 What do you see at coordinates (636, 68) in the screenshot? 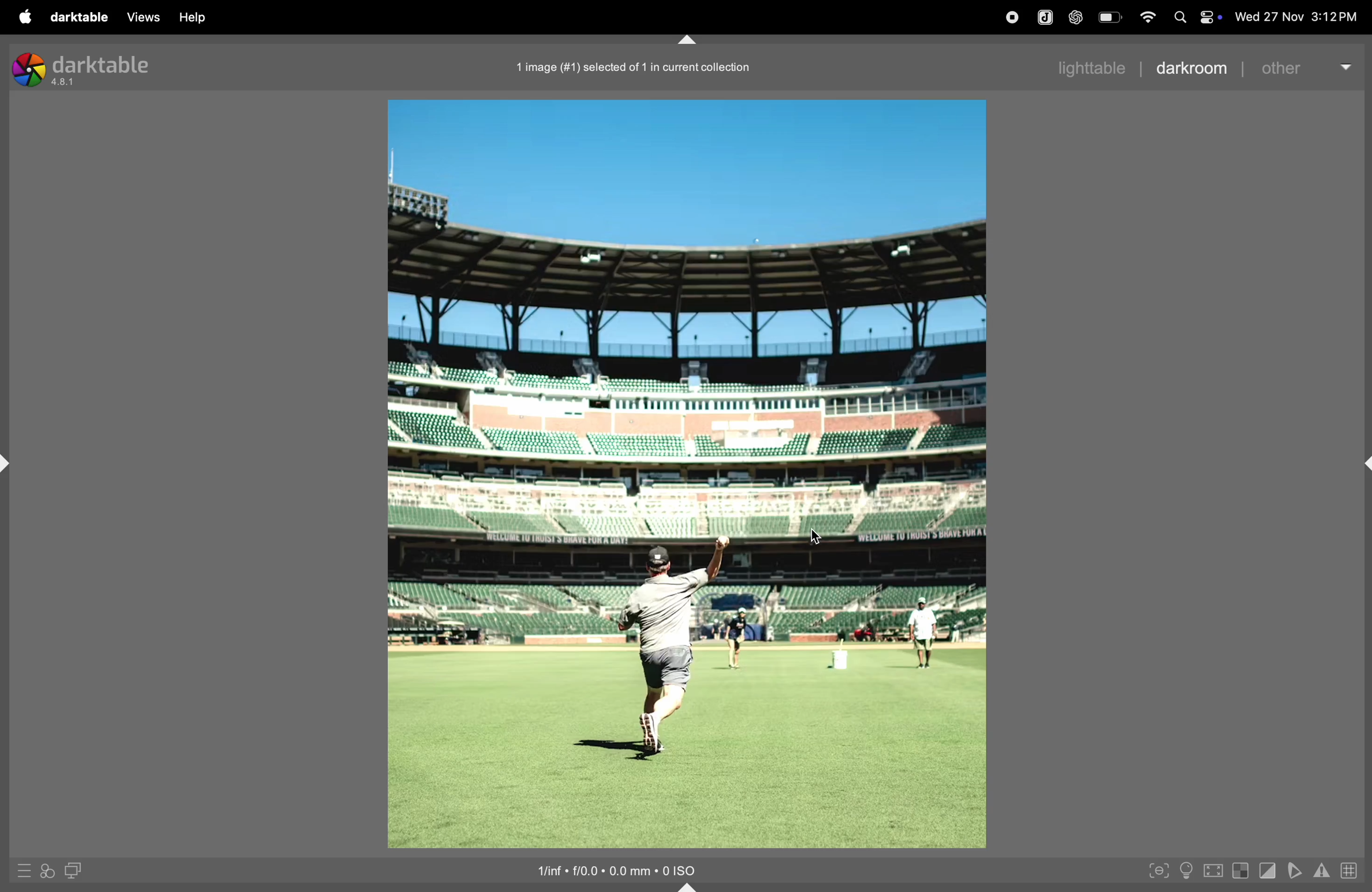
I see `1 image in current` at bounding box center [636, 68].